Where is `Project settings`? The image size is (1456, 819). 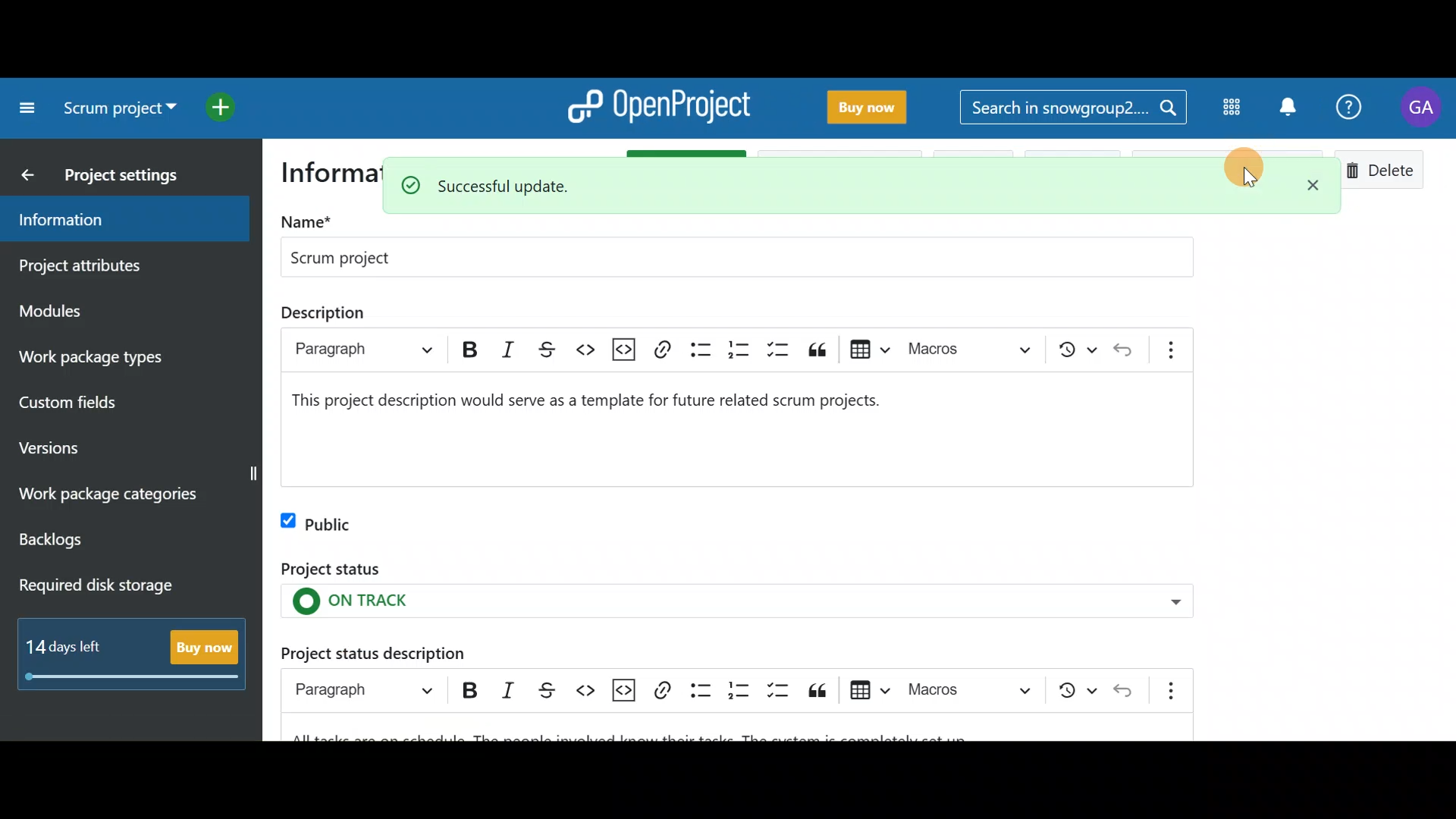
Project settings is located at coordinates (115, 173).